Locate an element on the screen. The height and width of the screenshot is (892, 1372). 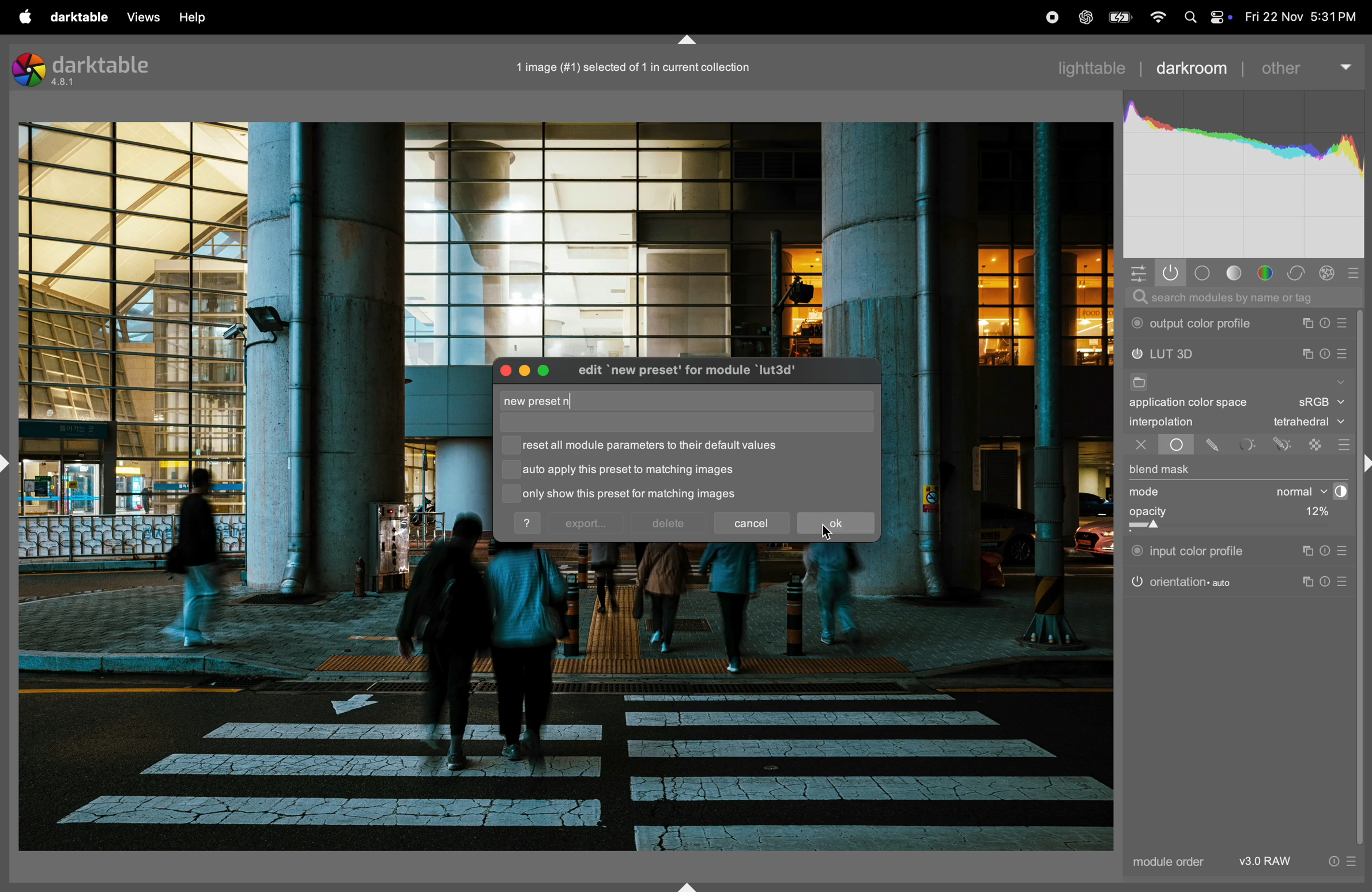
off is located at coordinates (1141, 446).